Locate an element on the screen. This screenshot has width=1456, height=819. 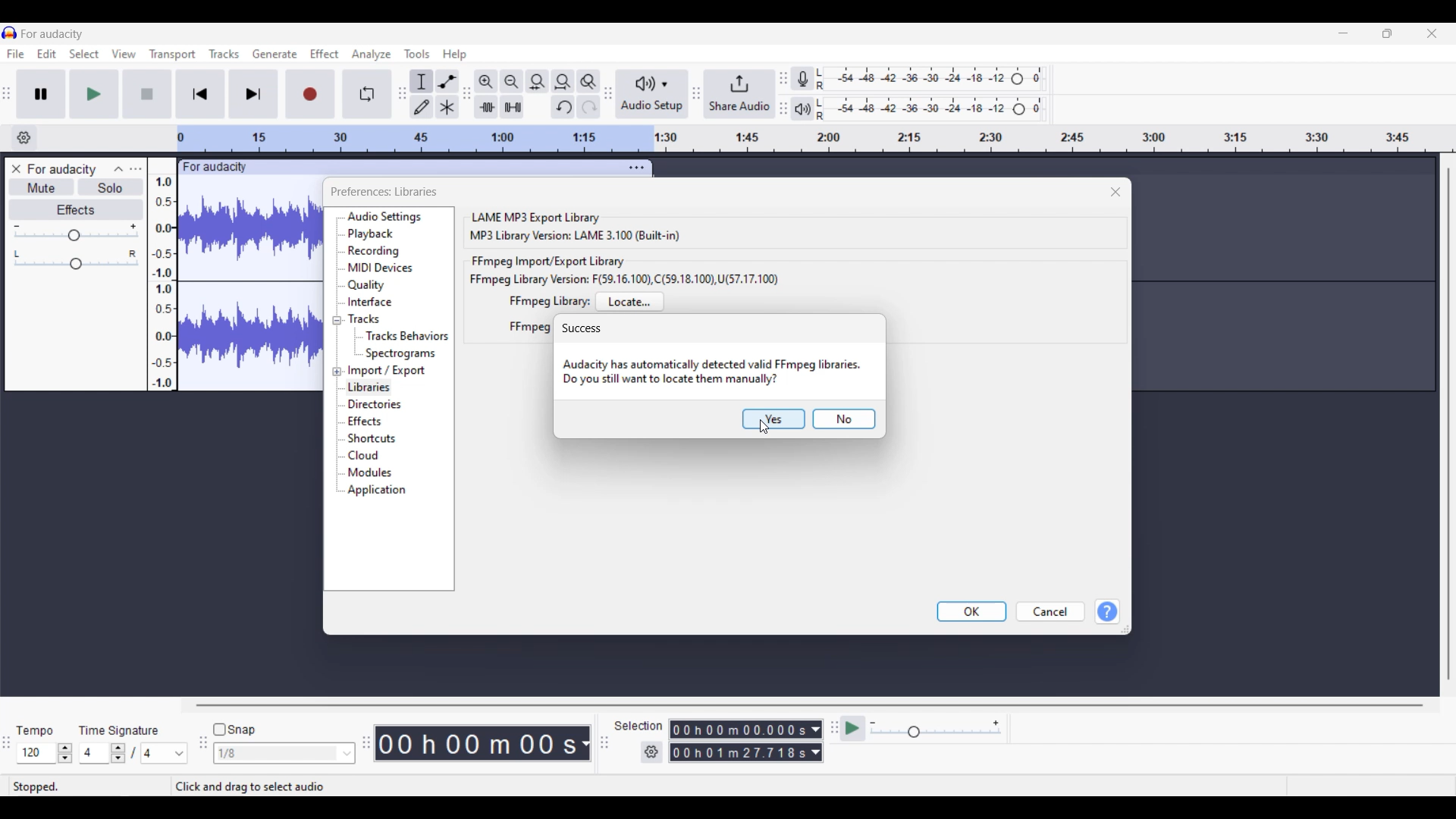
Tempo settings is located at coordinates (45, 753).